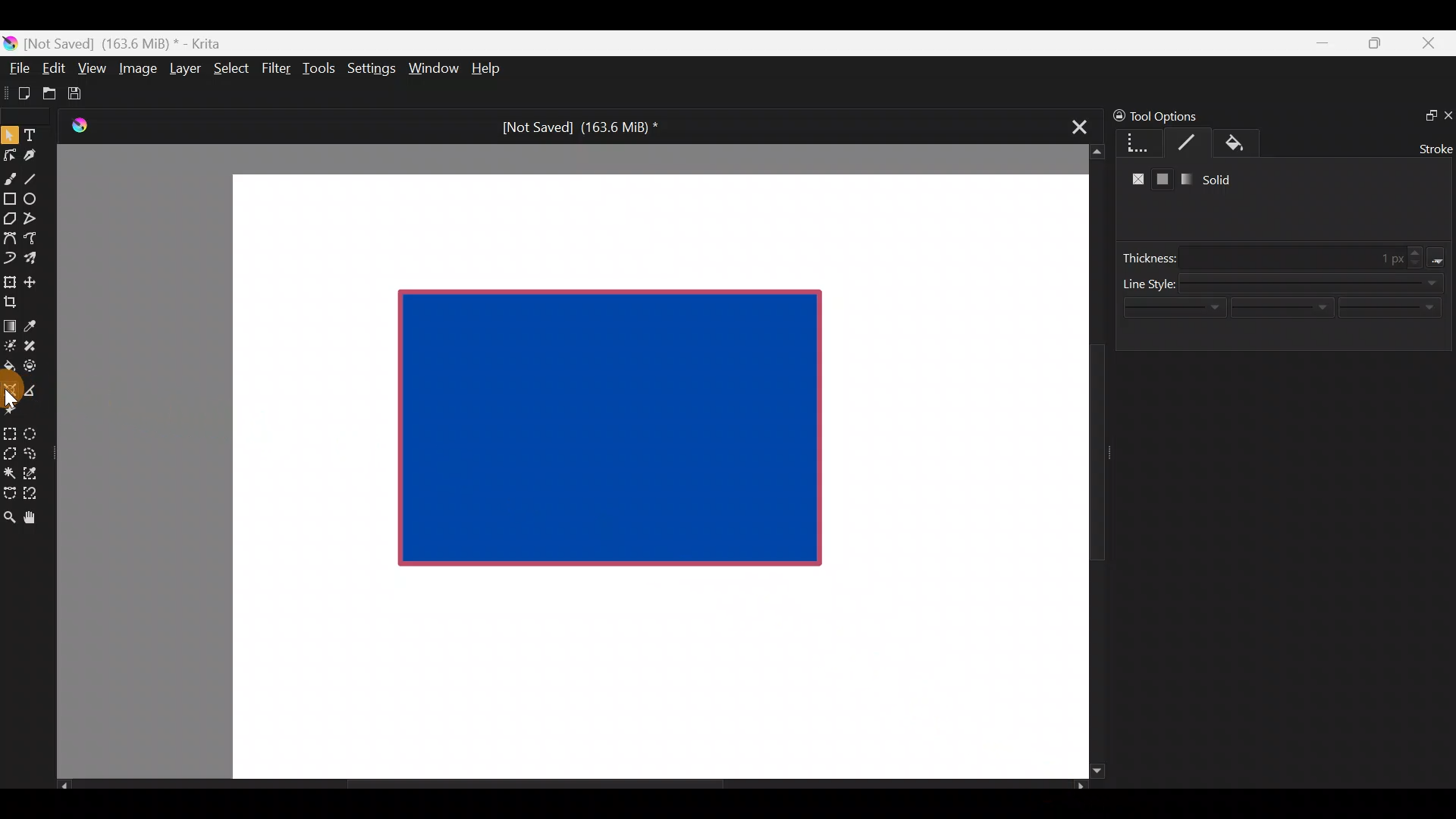  I want to click on Tools, so click(322, 69).